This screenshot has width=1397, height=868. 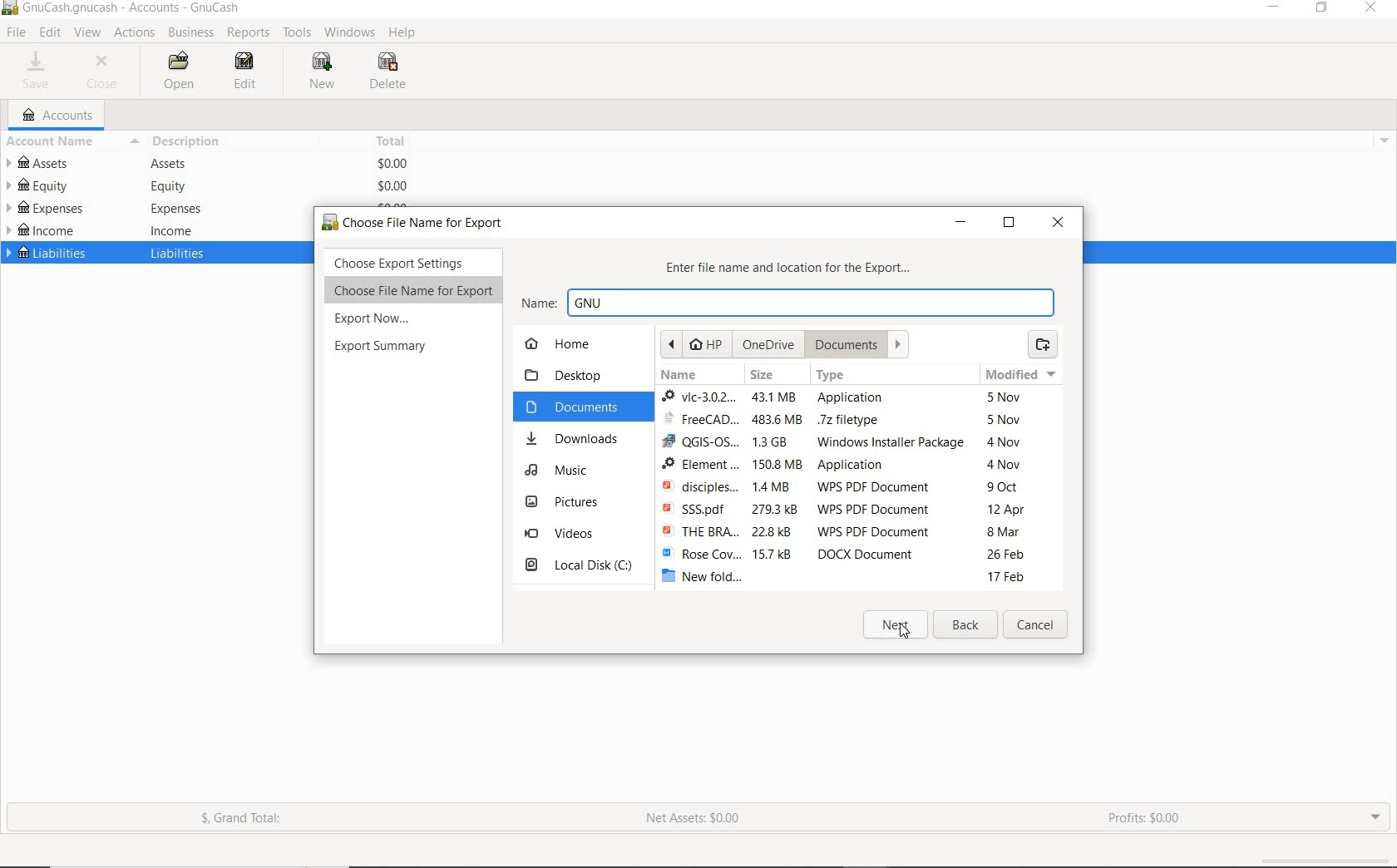 I want to click on WINDOWS, so click(x=348, y=33).